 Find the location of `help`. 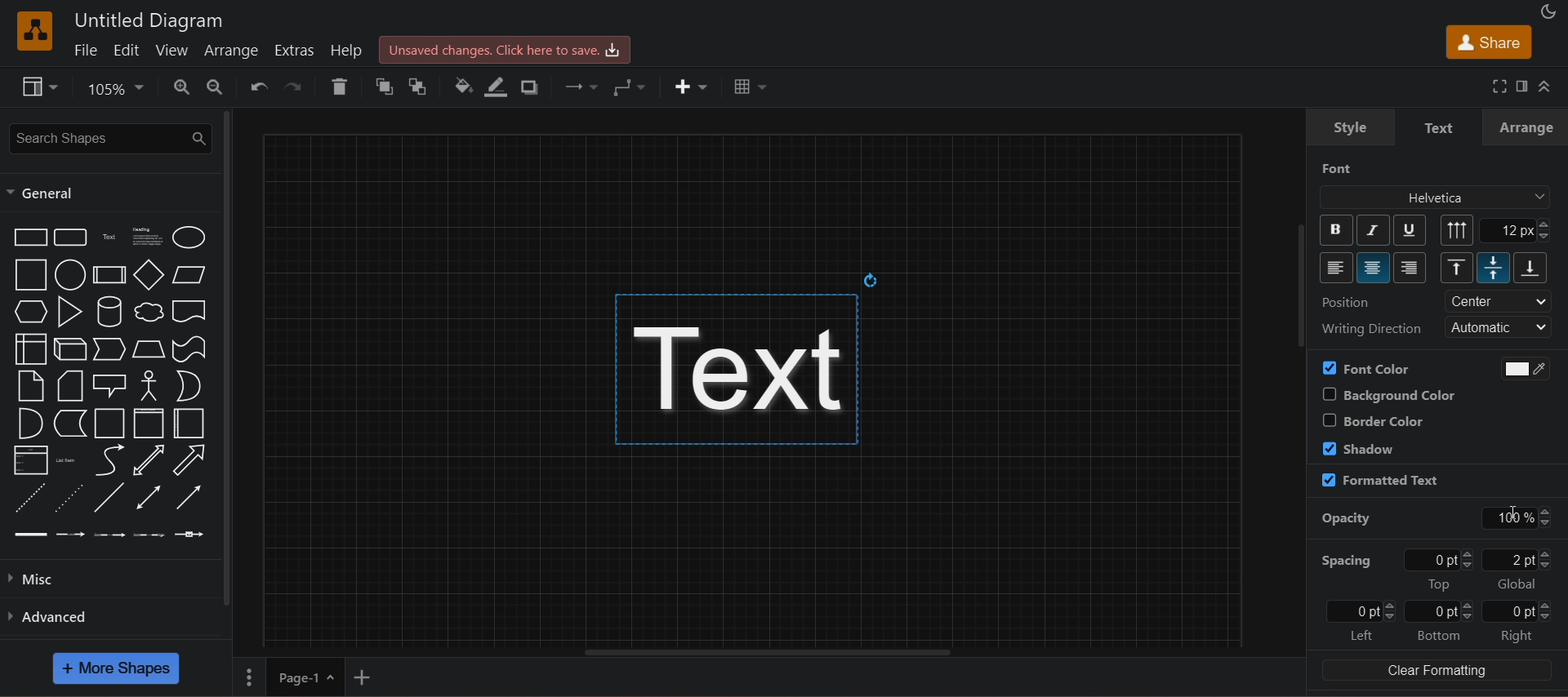

help is located at coordinates (348, 49).